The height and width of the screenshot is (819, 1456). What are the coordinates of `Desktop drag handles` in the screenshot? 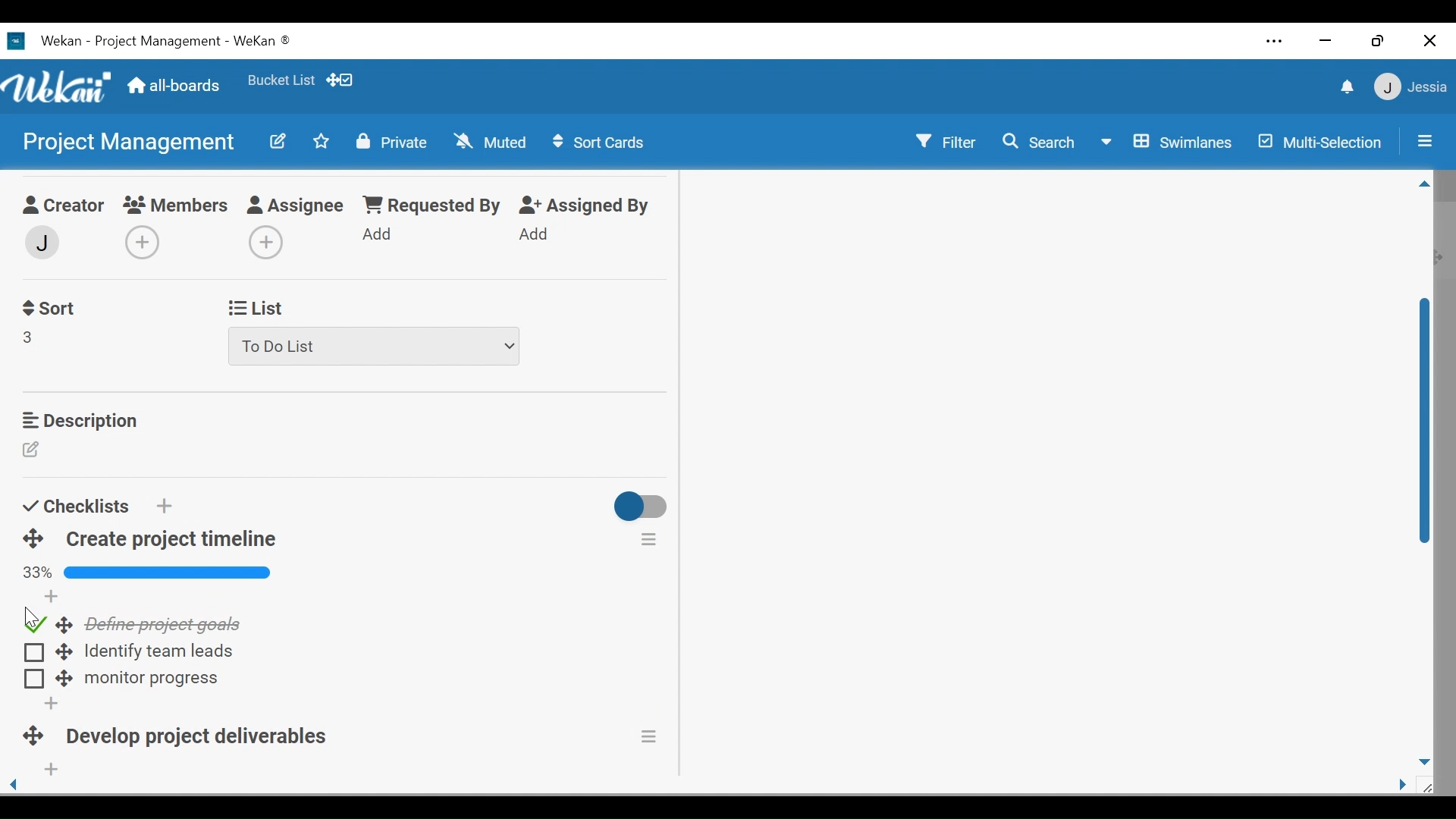 It's located at (42, 732).